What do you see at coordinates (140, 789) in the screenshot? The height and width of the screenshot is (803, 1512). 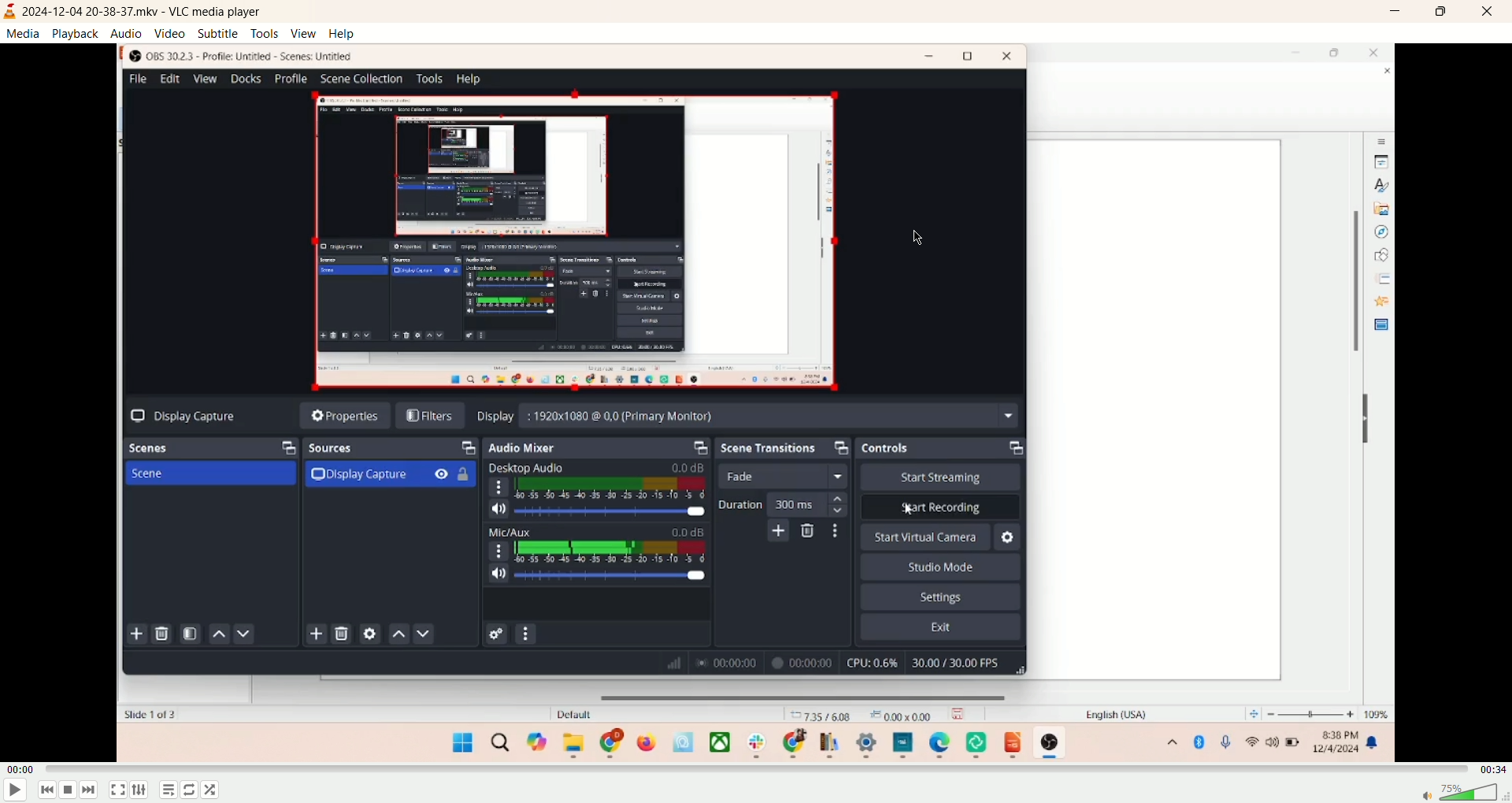 I see `extended settings` at bounding box center [140, 789].